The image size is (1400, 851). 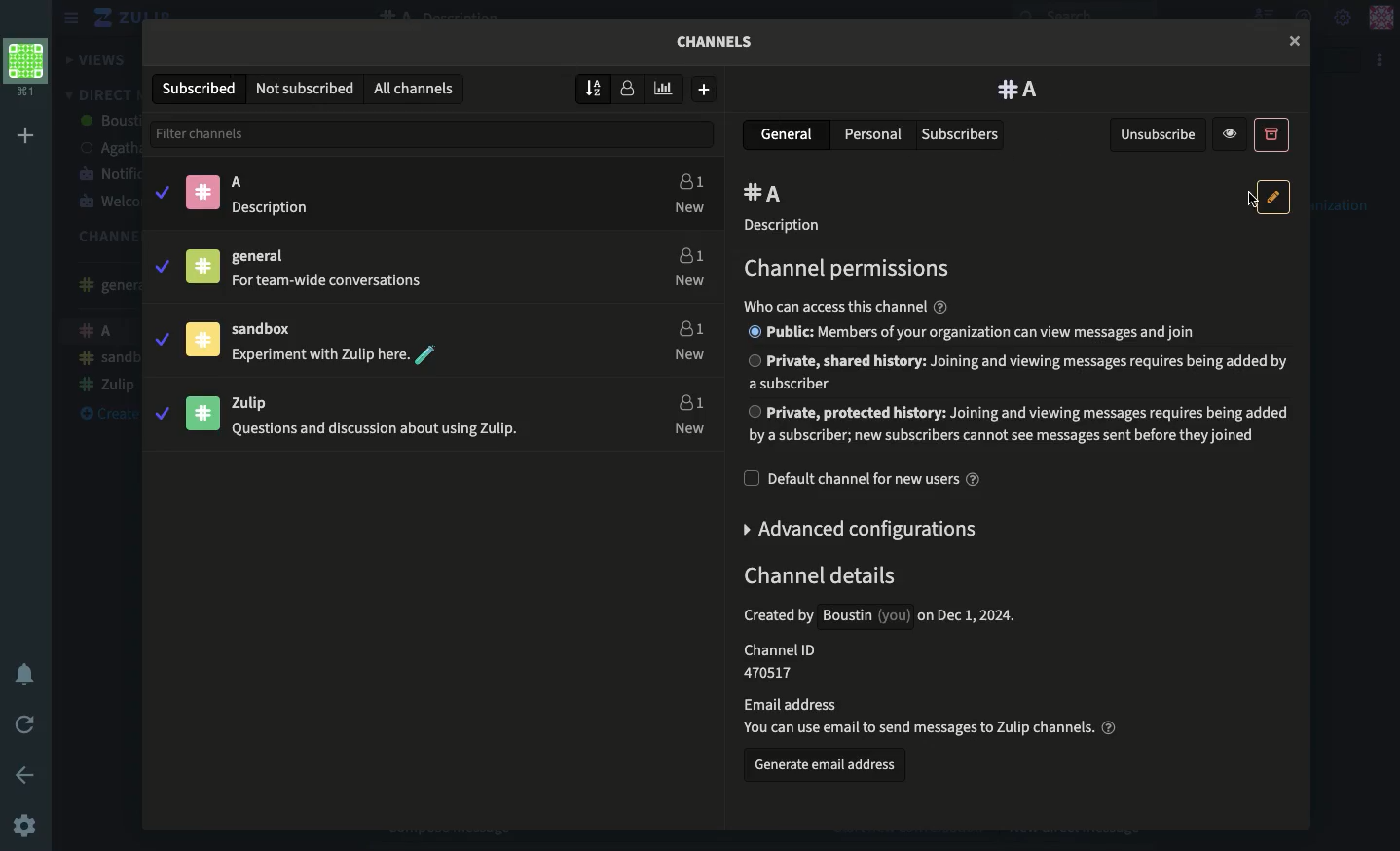 What do you see at coordinates (29, 135) in the screenshot?
I see `Add` at bounding box center [29, 135].